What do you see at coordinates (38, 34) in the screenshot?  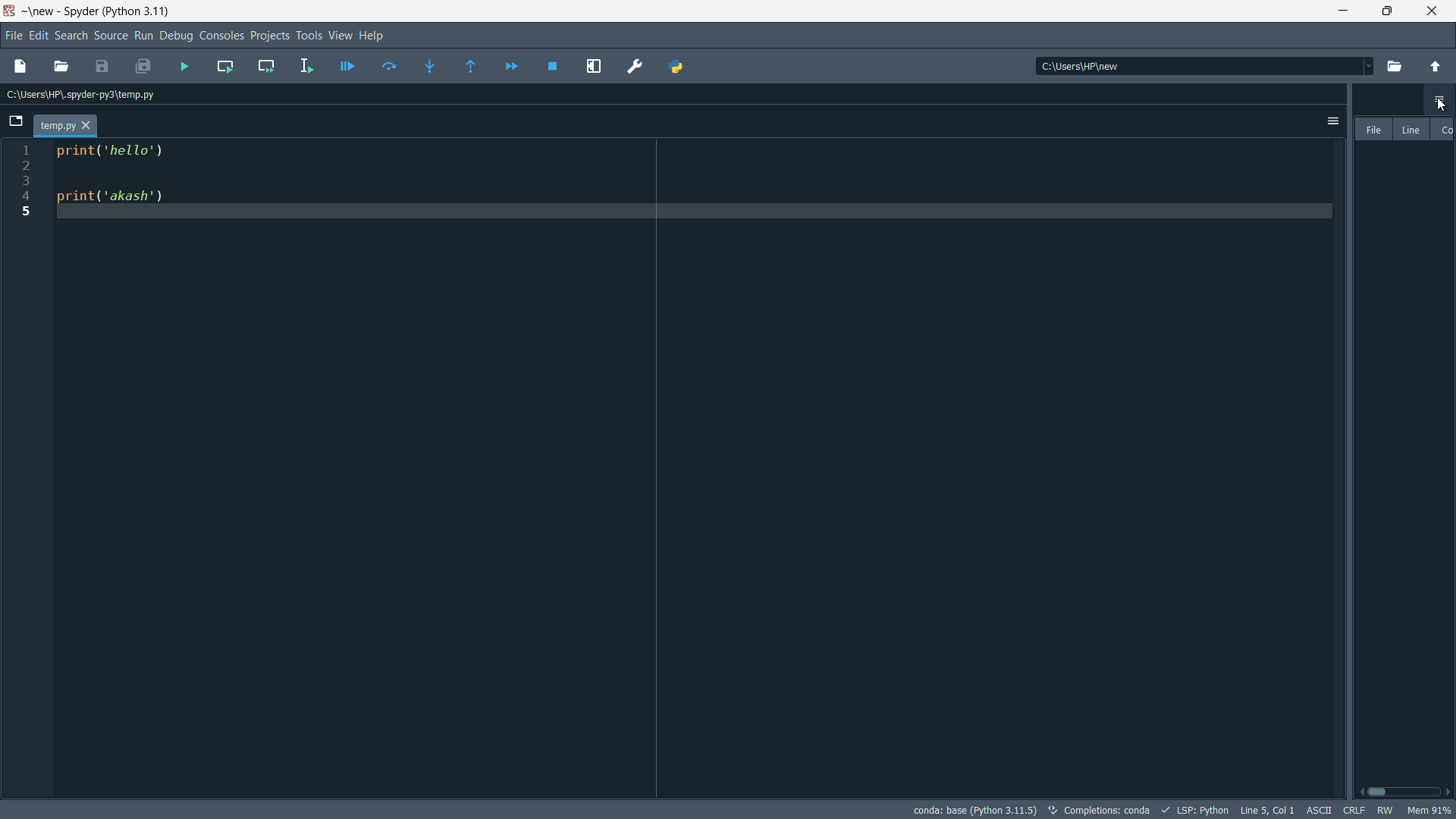 I see `edit menu` at bounding box center [38, 34].